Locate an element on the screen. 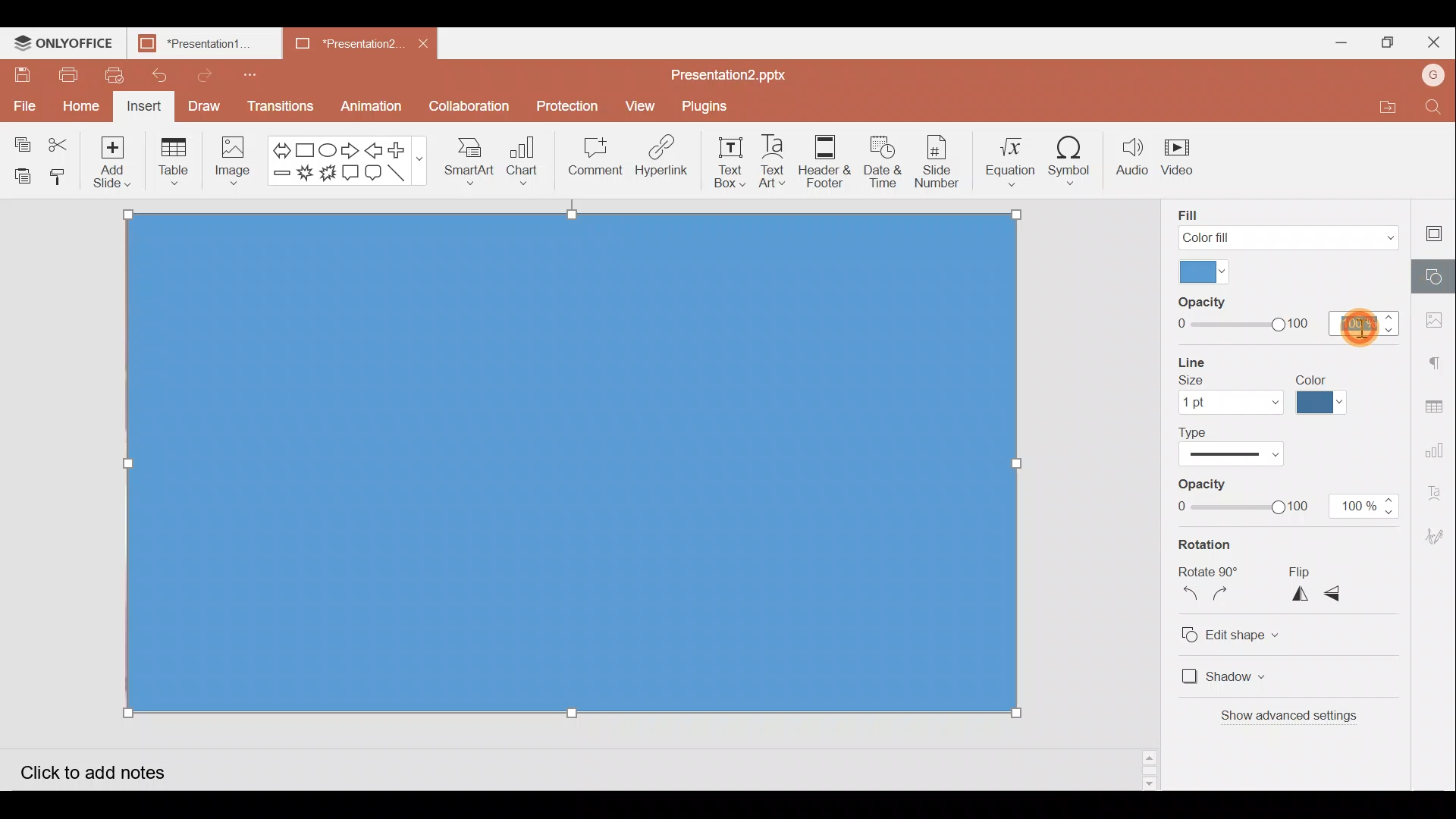  Find is located at coordinates (1438, 108).